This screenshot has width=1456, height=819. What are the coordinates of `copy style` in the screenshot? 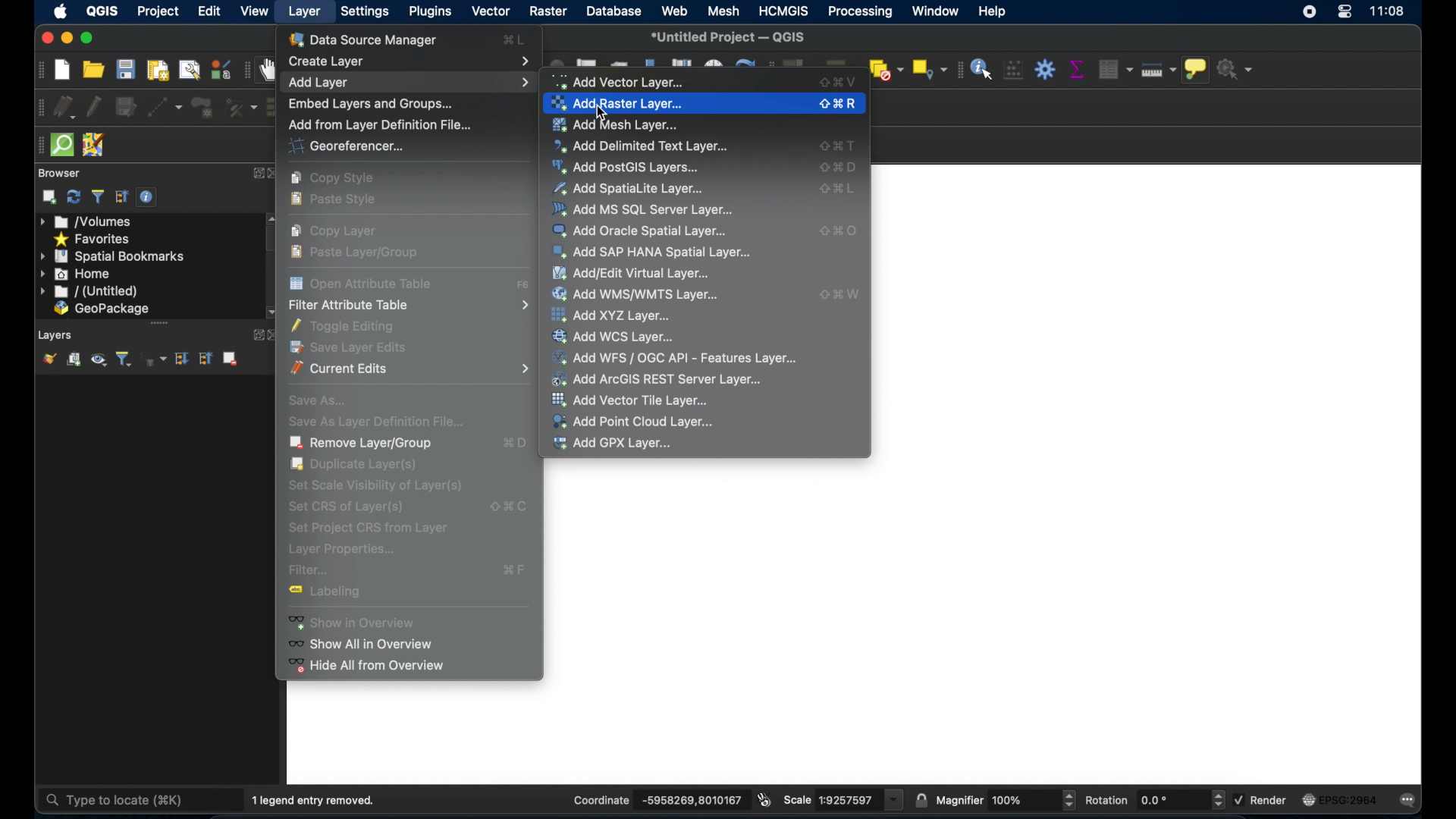 It's located at (335, 178).